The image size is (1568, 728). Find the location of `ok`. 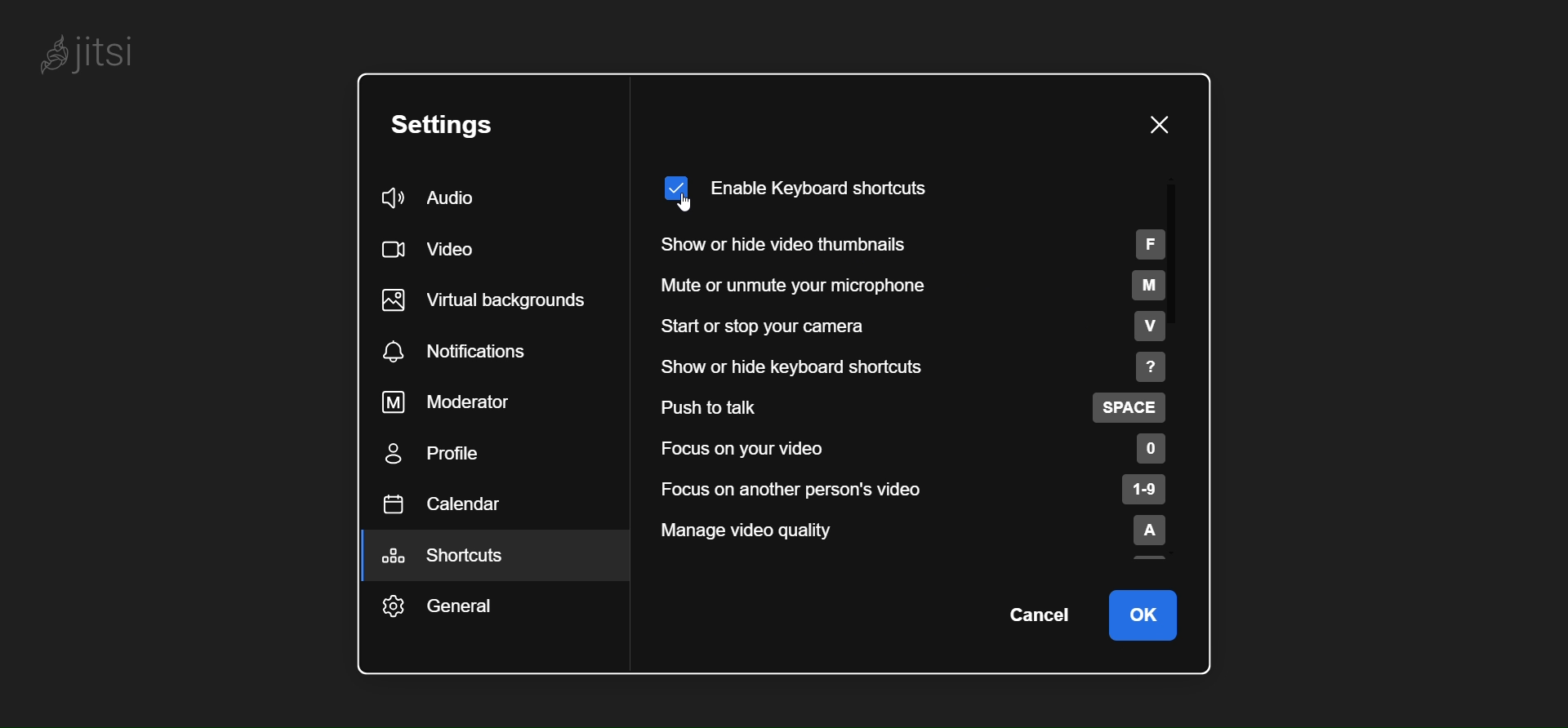

ok is located at coordinates (1146, 618).